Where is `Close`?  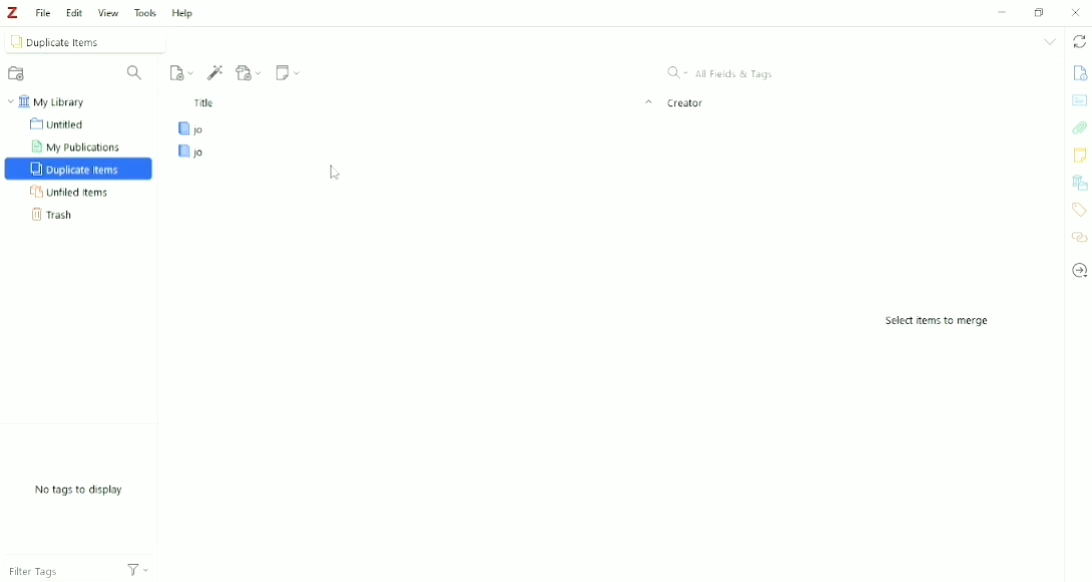
Close is located at coordinates (1075, 13).